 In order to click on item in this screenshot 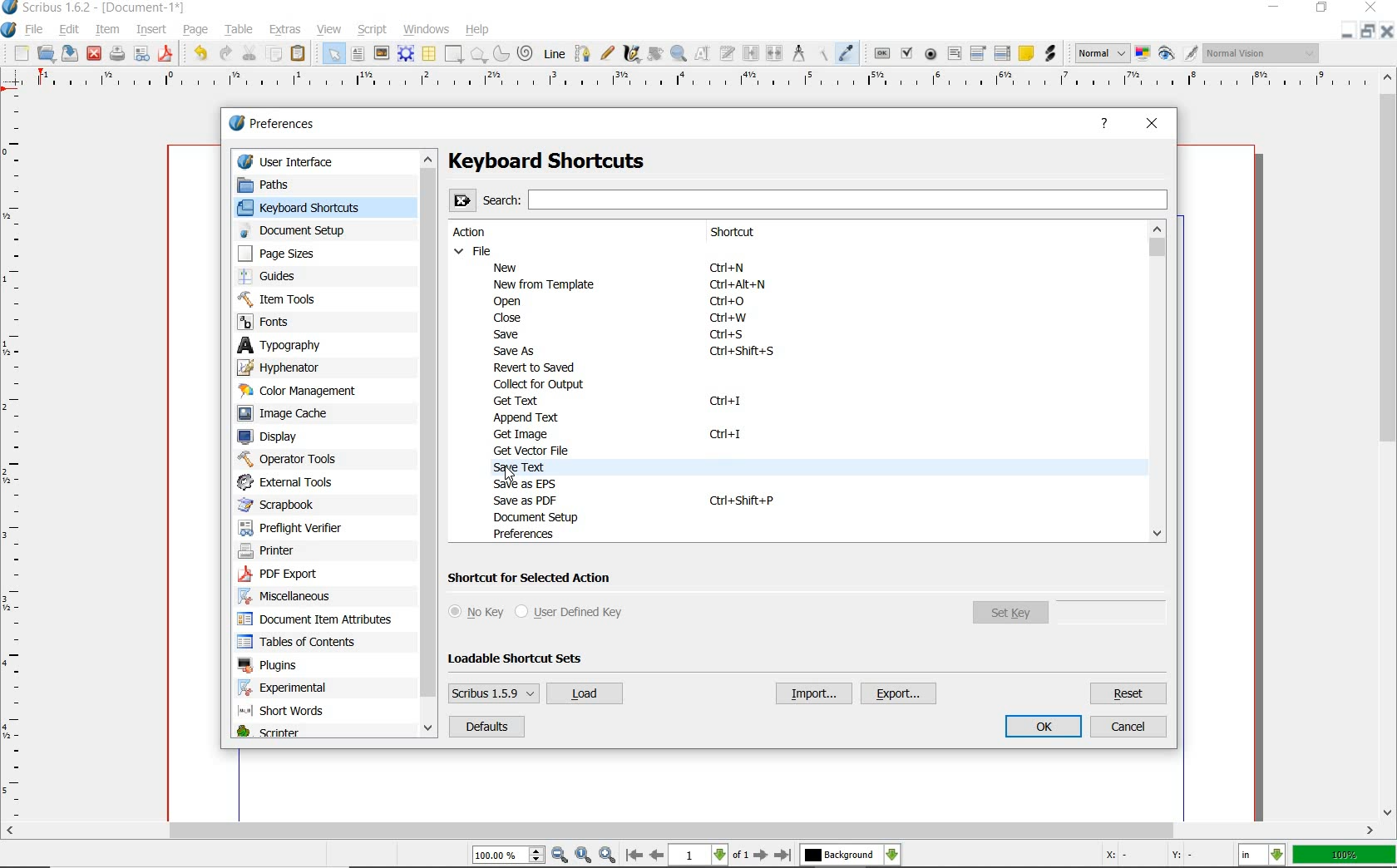, I will do `click(106, 28)`.